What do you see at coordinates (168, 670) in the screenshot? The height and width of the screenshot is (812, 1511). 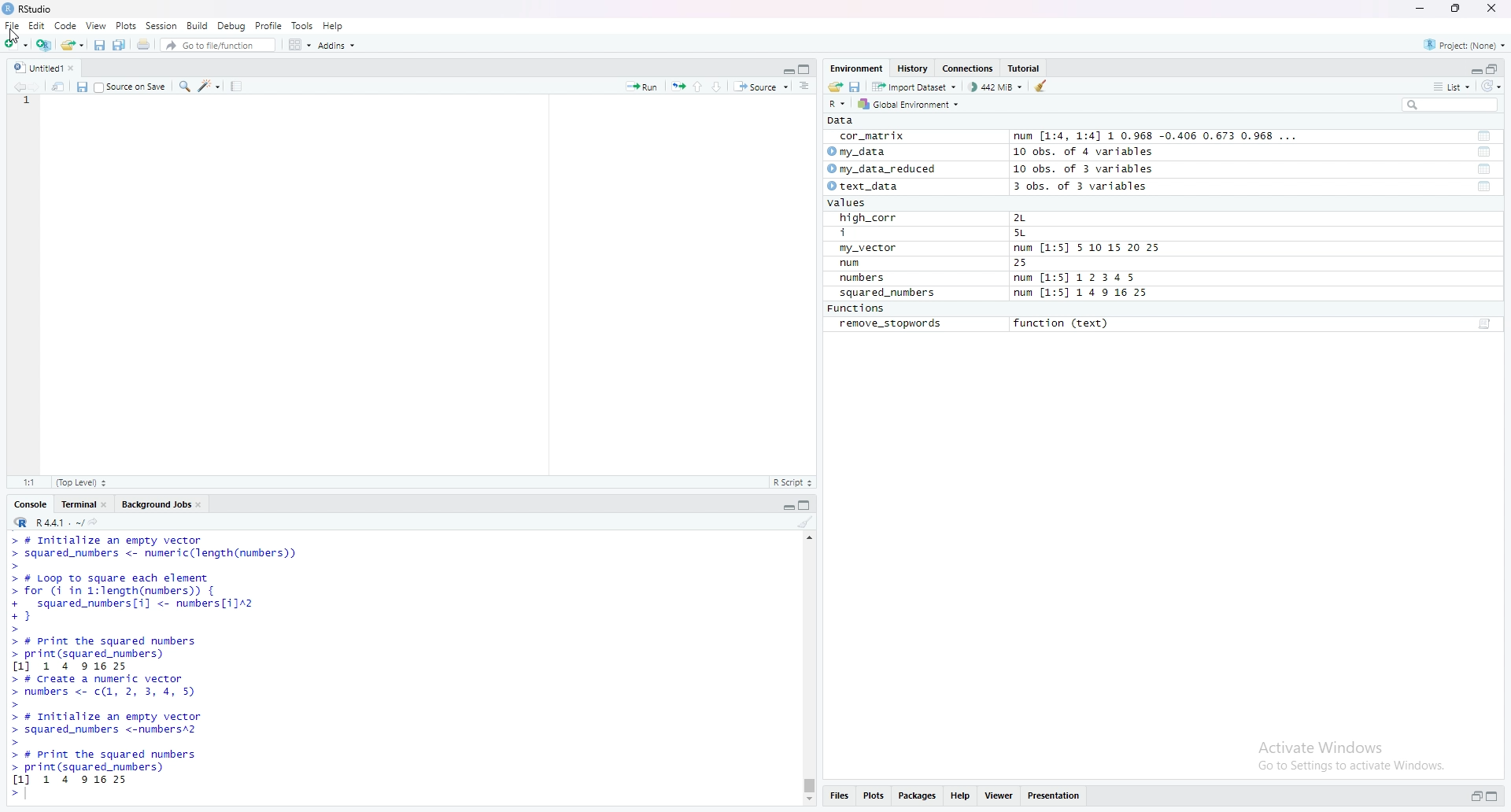 I see `> # Initialize an empty vector> squared_numbers <- numeric(length(numbers))> # Loop To square each element> for (i in 1:length(numbers)) {+ squared_numbers[i] <- nunbers[i]2+}> # print the squared numbers> print(squared_numbers)1] 1 4 91625> # create a numeric vector> numbers <- c(1, 2, 3, 4, 5)> # Initialize an empty vector> squared_numbers <-numbersA2> # print the squared numbers> print(squared_numbers)1] 1 4 91625` at bounding box center [168, 670].